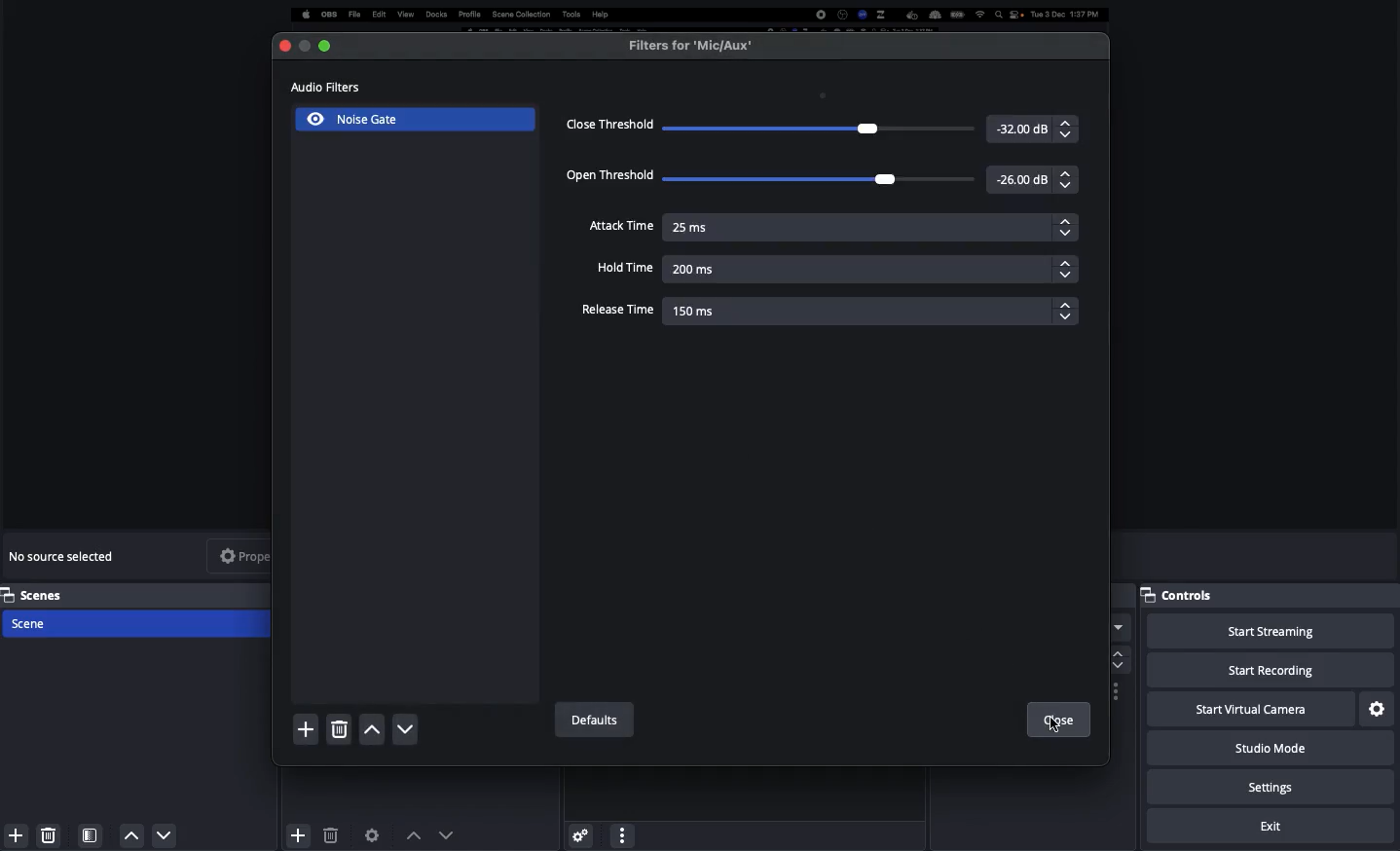 This screenshot has height=851, width=1400. What do you see at coordinates (830, 268) in the screenshot?
I see `Hold time` at bounding box center [830, 268].